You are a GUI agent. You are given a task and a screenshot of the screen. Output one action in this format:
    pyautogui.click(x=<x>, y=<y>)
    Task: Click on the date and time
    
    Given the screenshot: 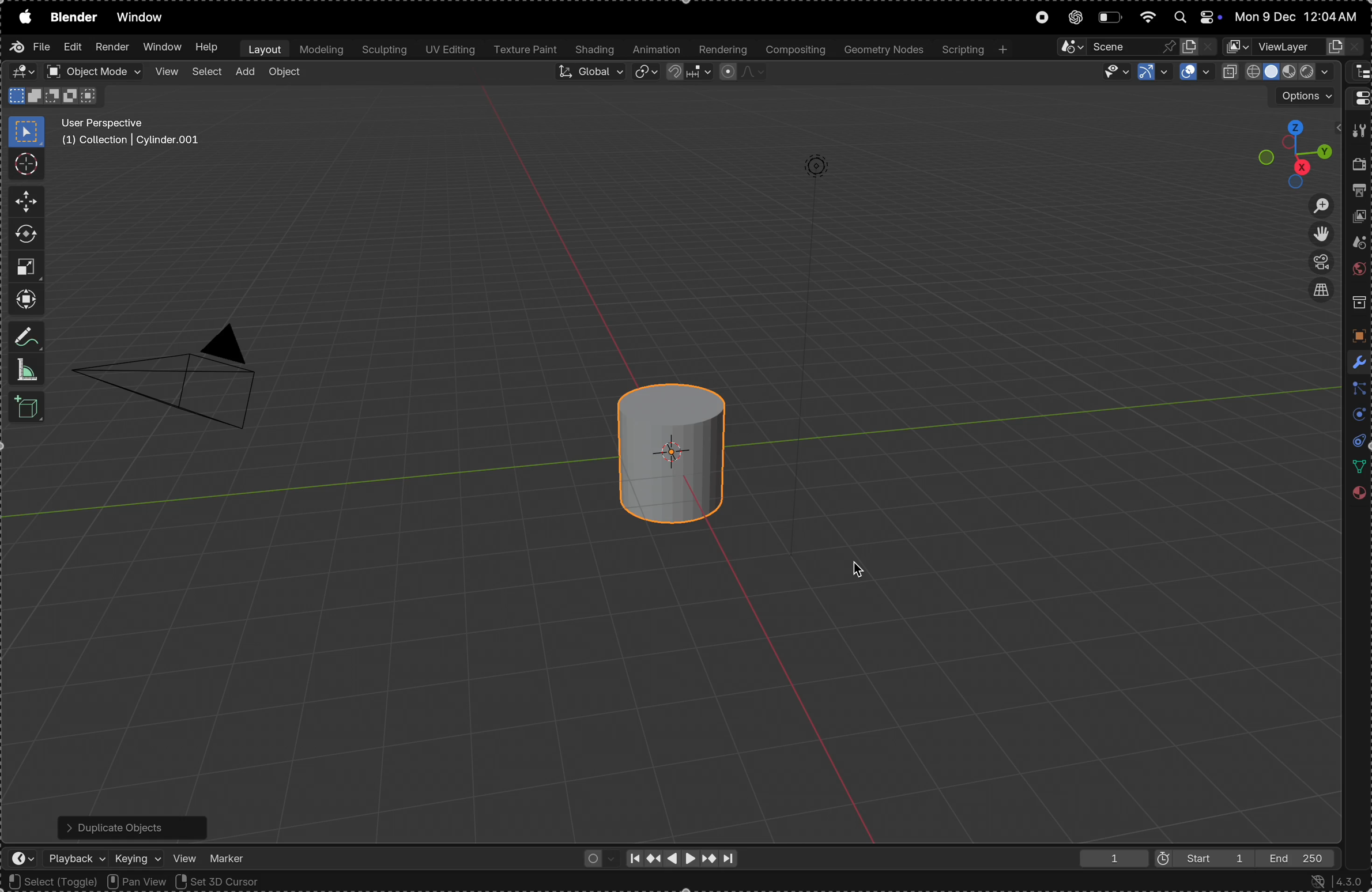 What is the action you would take?
    pyautogui.click(x=1299, y=17)
    